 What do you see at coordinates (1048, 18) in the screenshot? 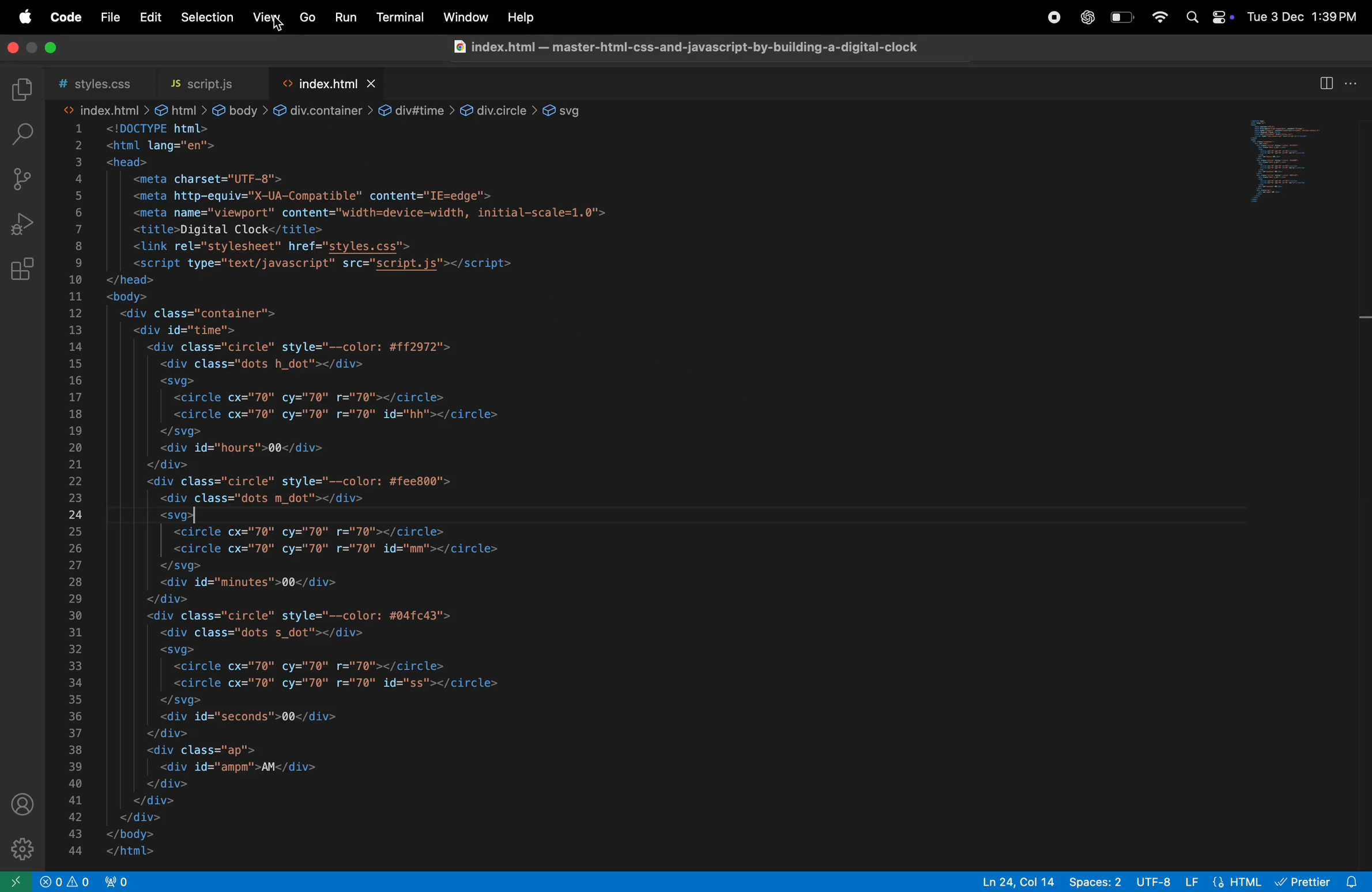
I see `record` at bounding box center [1048, 18].